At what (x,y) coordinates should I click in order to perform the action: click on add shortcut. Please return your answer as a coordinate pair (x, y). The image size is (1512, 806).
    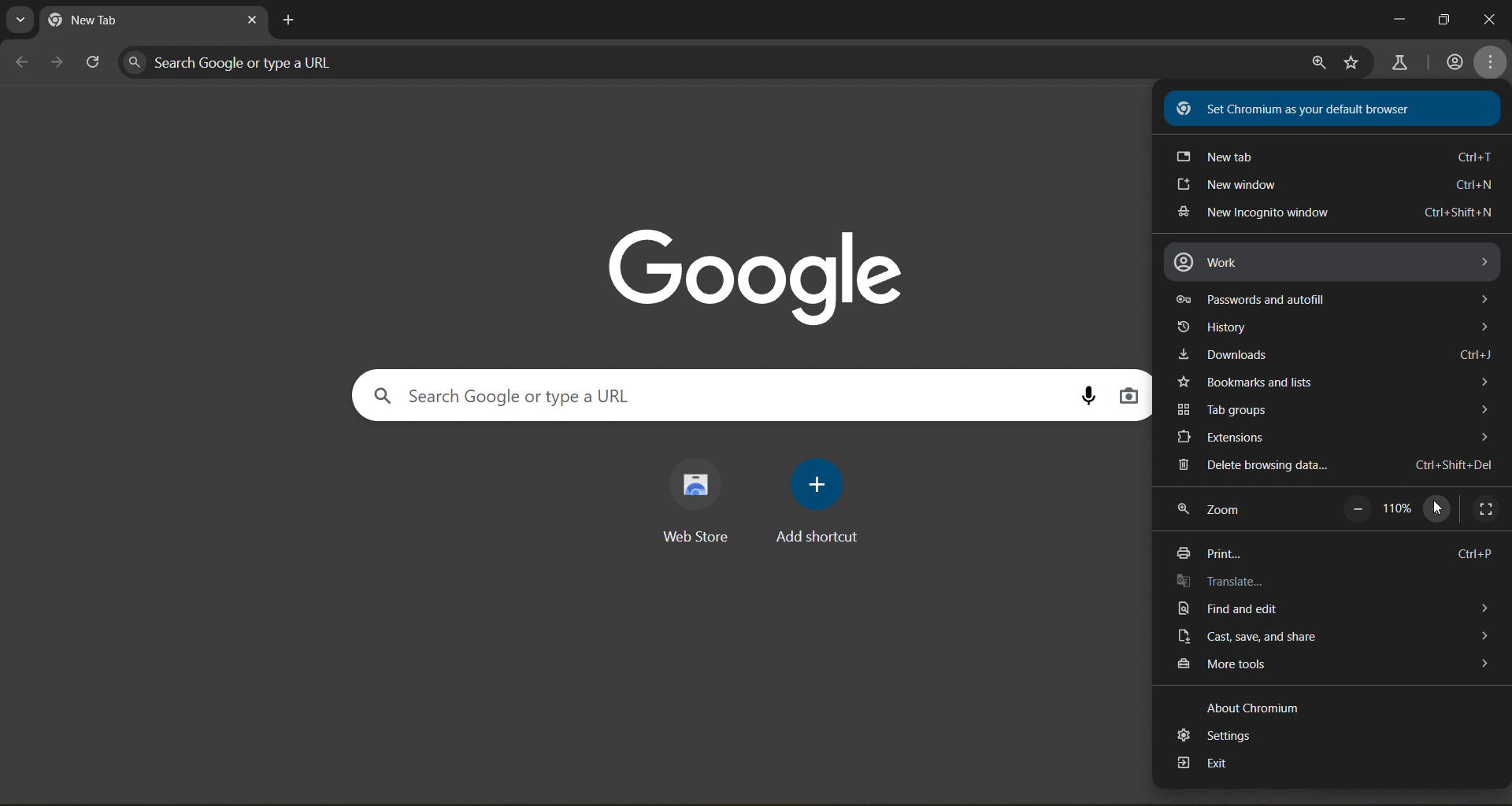
    Looking at the image, I should click on (818, 502).